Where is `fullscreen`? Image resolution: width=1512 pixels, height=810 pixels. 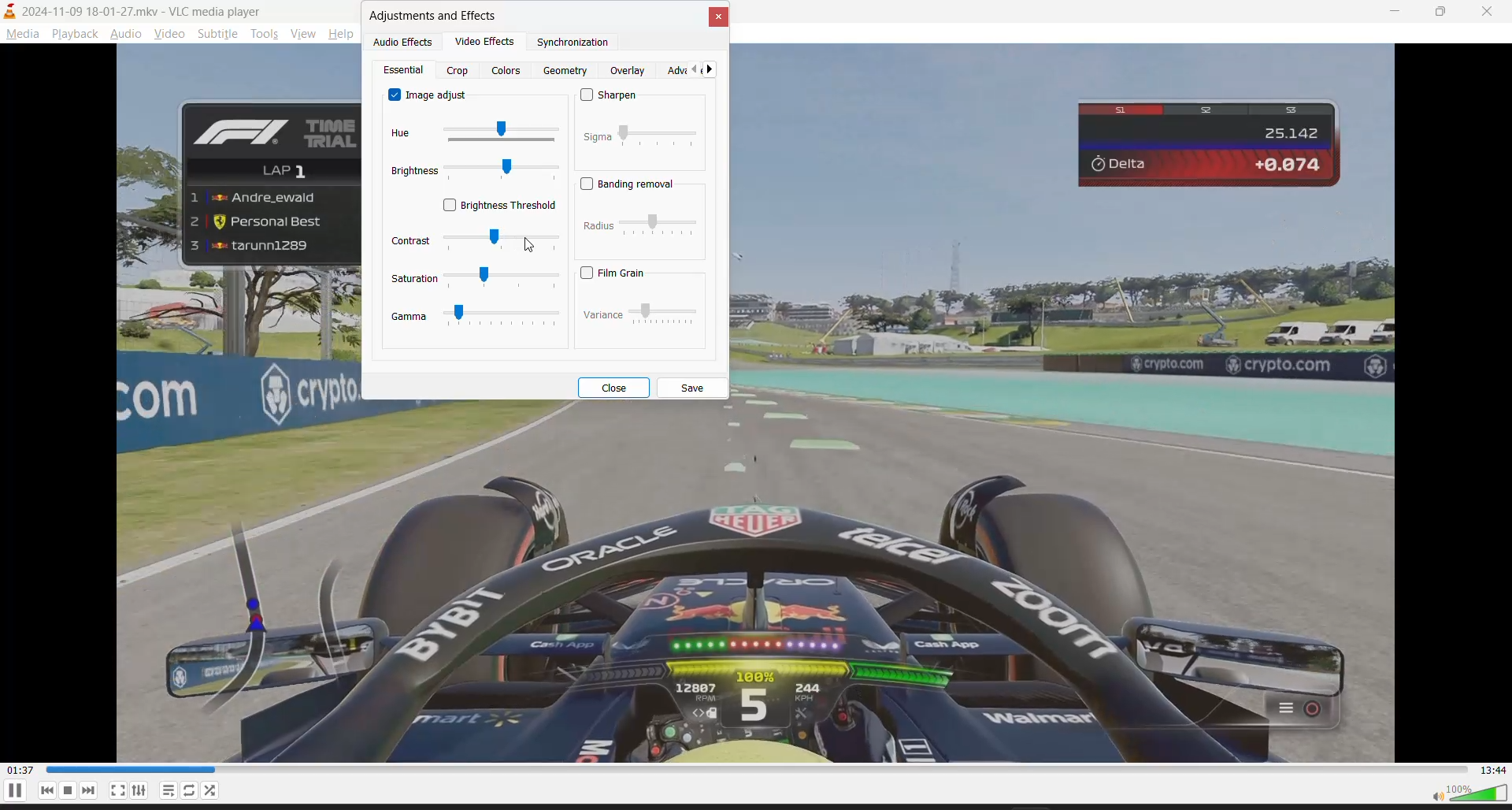
fullscreen is located at coordinates (117, 791).